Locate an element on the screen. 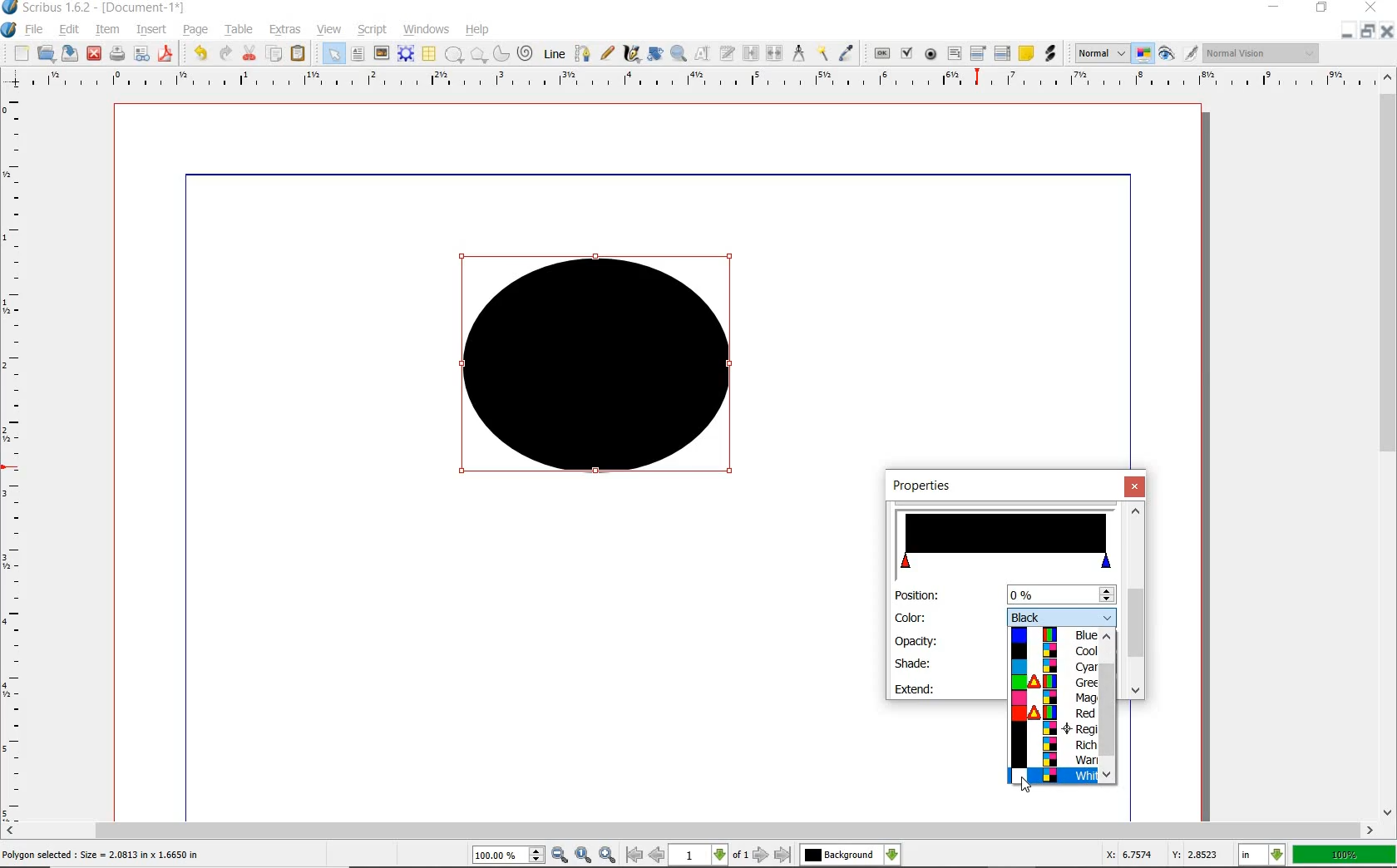 The height and width of the screenshot is (868, 1397). EDIT TEXT WITH STORY EDITOR is located at coordinates (728, 53).